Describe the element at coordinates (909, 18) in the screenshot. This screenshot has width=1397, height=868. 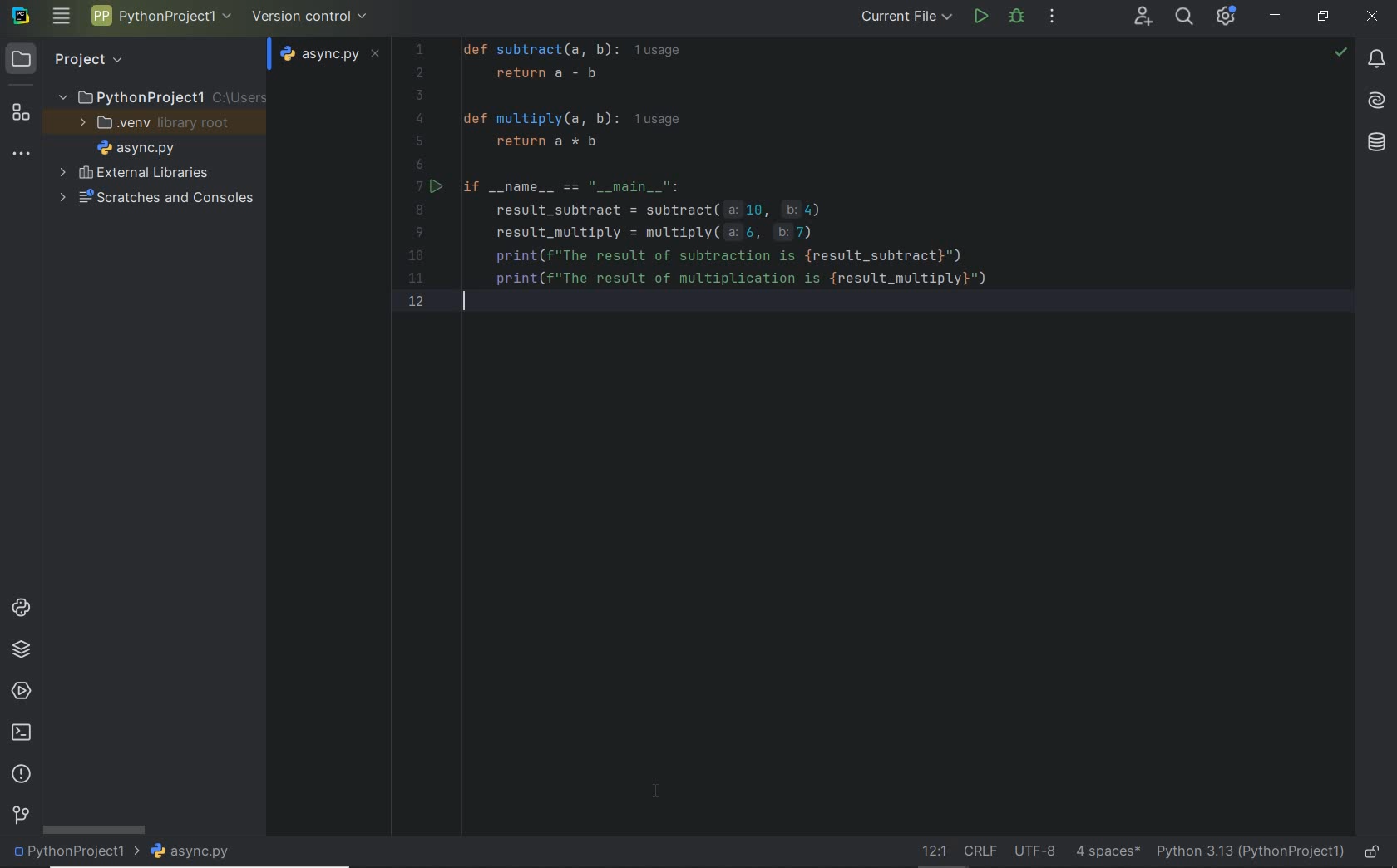
I see `current file` at that location.